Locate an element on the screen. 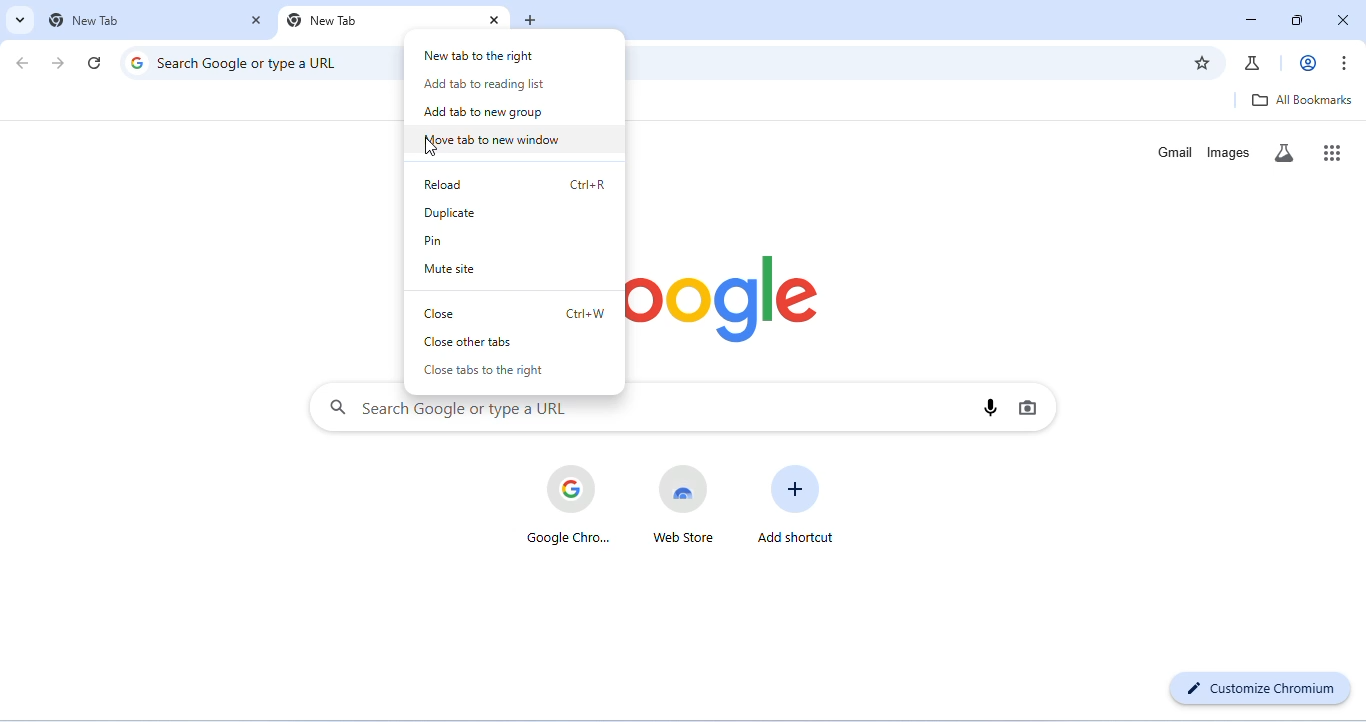 This screenshot has height=722, width=1366. new tab to right is located at coordinates (482, 55).